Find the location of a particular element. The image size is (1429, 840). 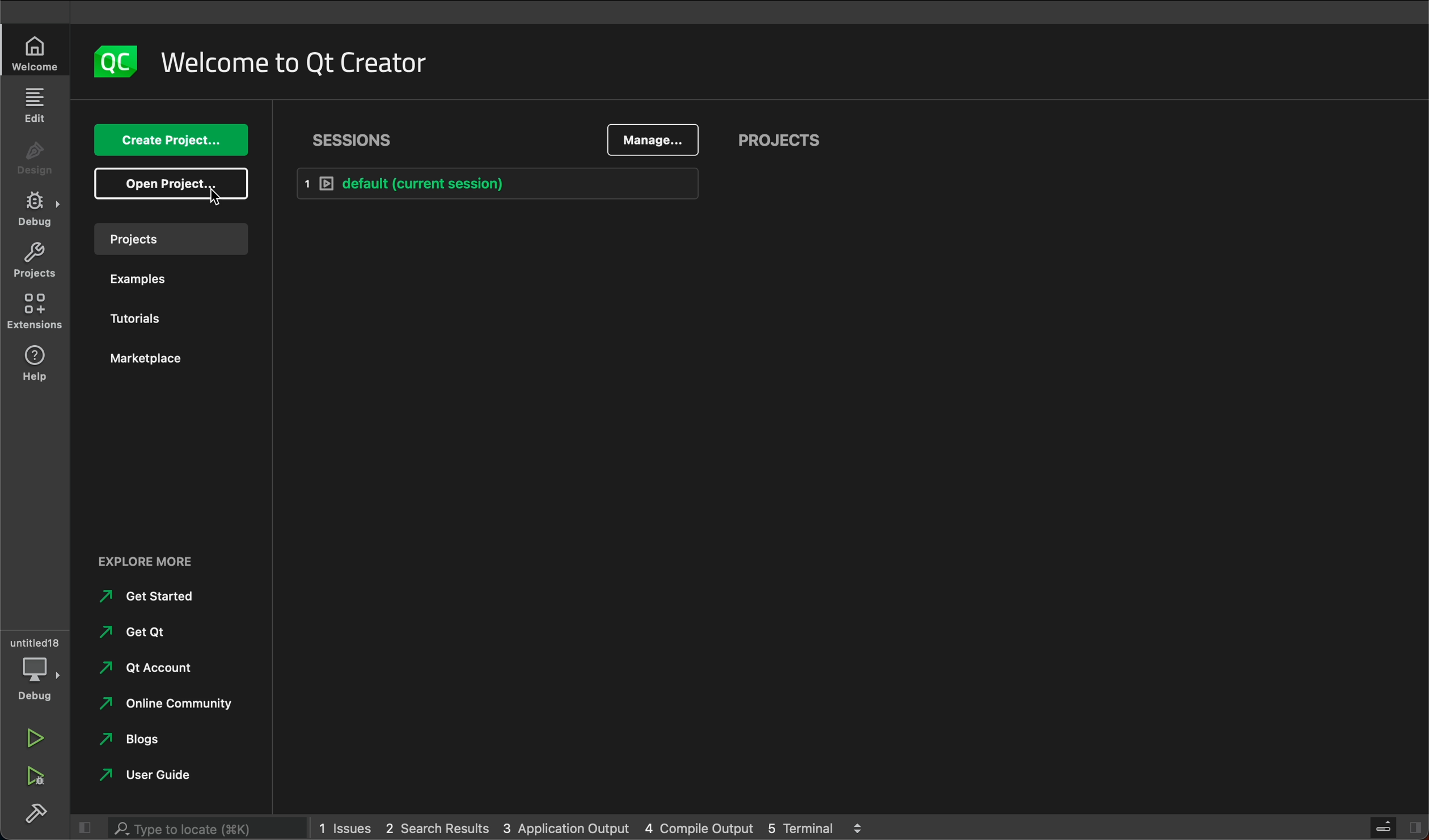

design is located at coordinates (35, 160).